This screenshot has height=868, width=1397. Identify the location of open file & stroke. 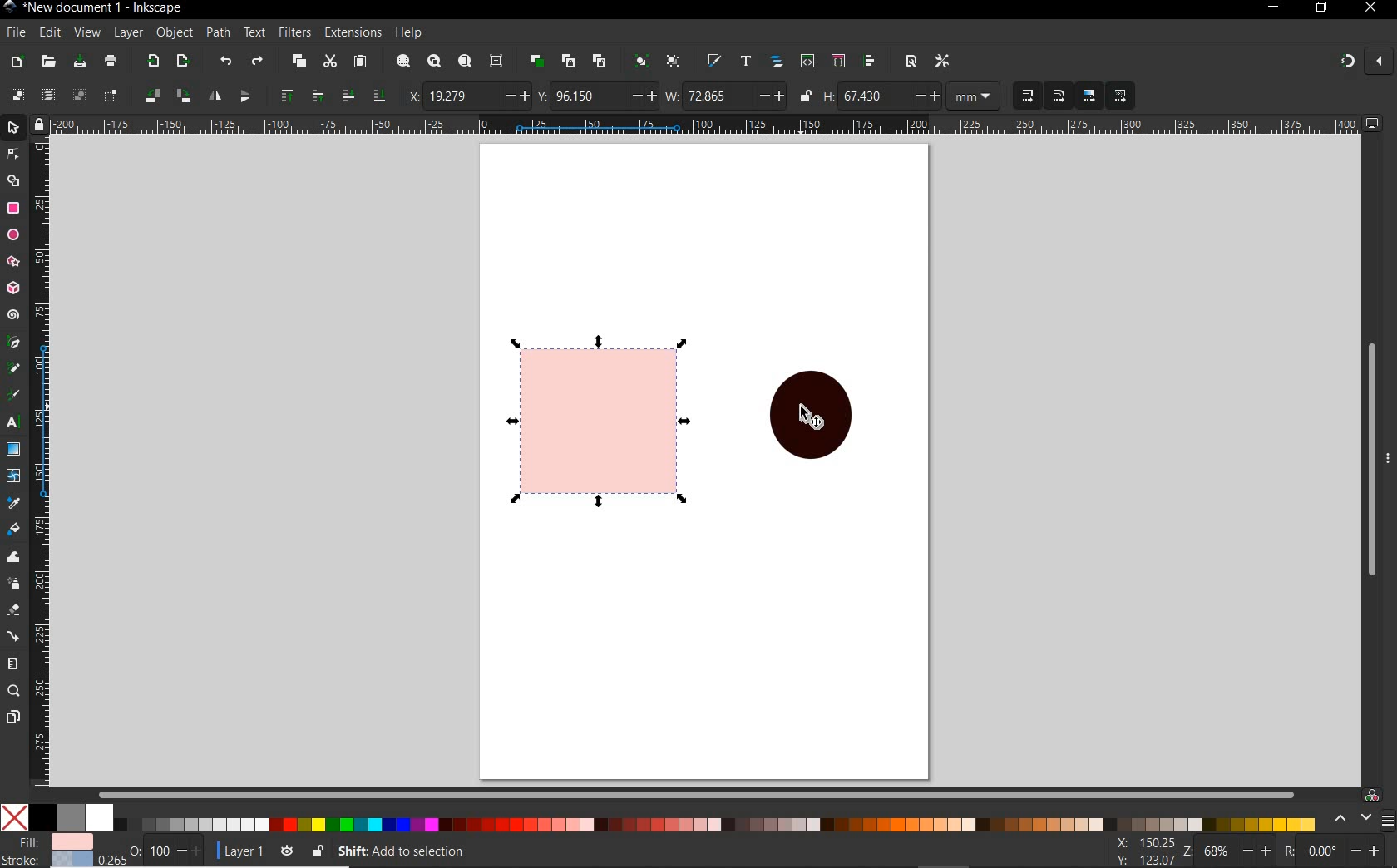
(714, 60).